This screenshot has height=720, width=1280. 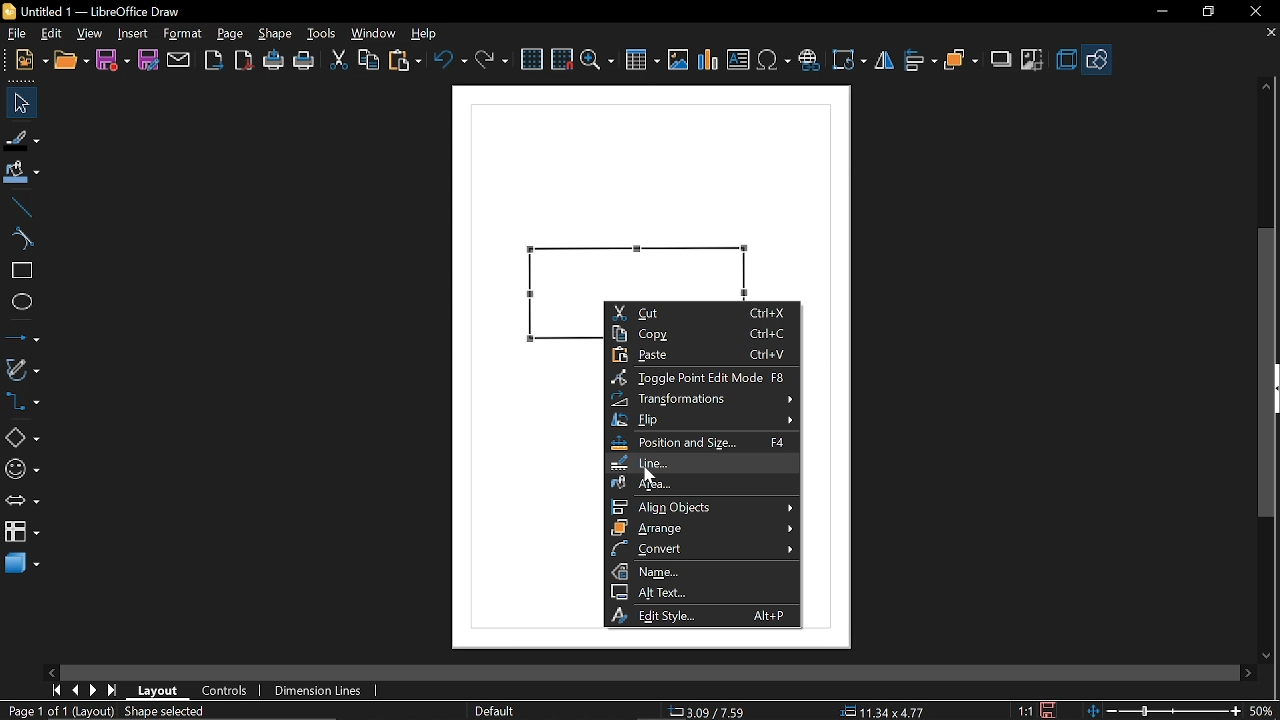 I want to click on previous page, so click(x=75, y=690).